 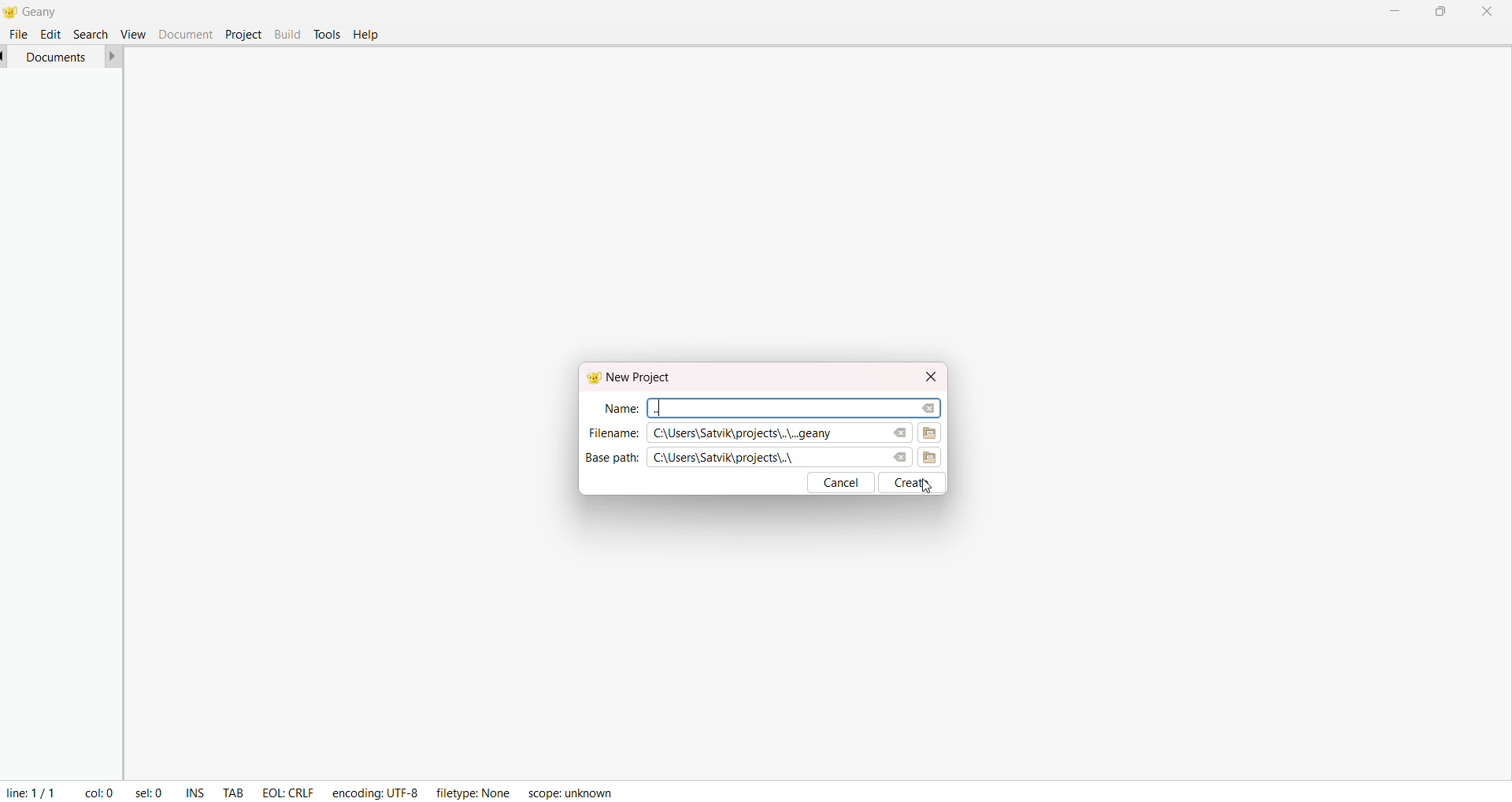 I want to click on search, so click(x=89, y=33).